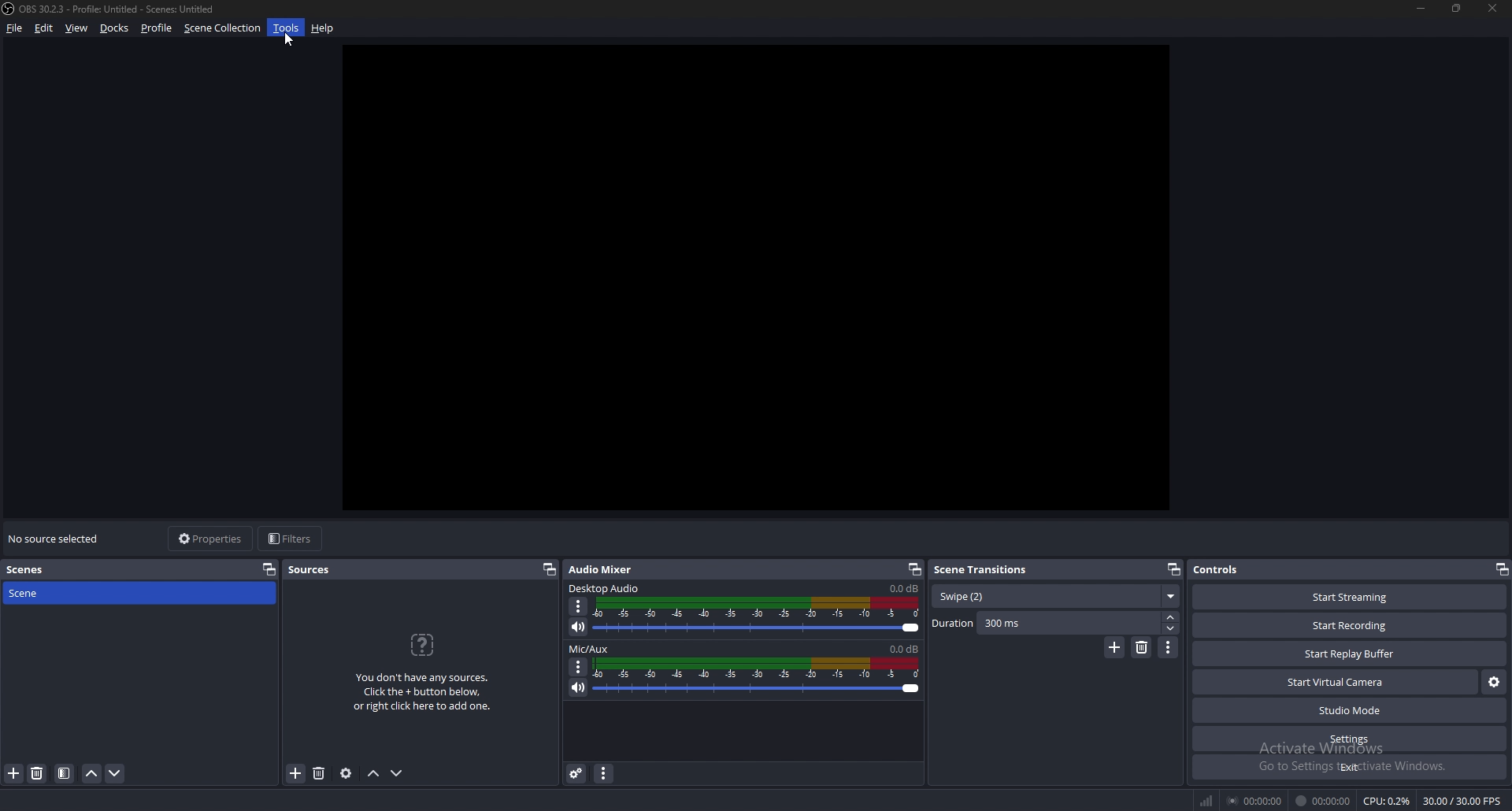 Image resolution: width=1512 pixels, height=811 pixels. Describe the element at coordinates (423, 670) in the screenshot. I see `info` at that location.